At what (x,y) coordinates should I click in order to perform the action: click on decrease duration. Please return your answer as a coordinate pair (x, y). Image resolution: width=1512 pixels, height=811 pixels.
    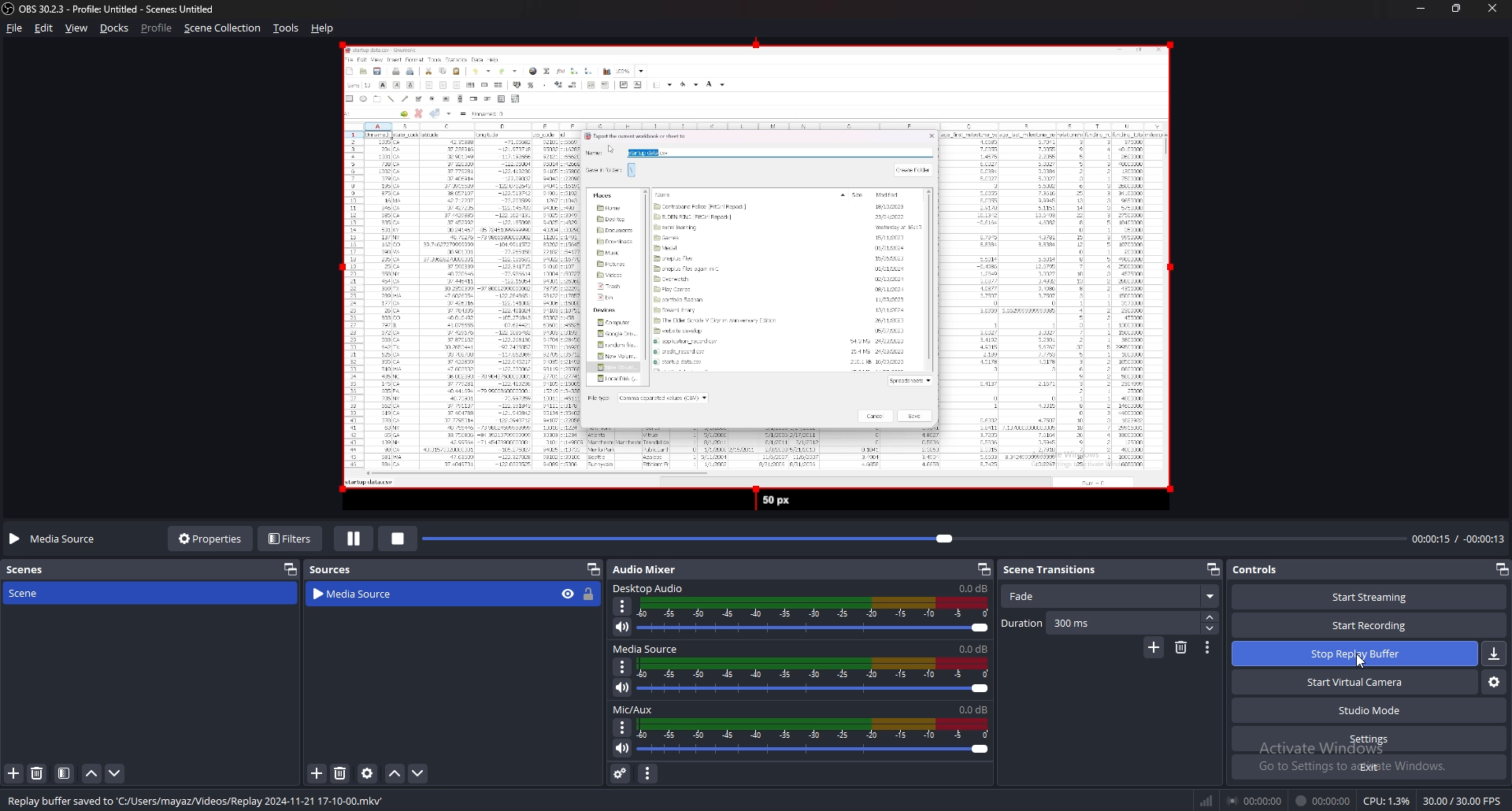
    Looking at the image, I should click on (1212, 629).